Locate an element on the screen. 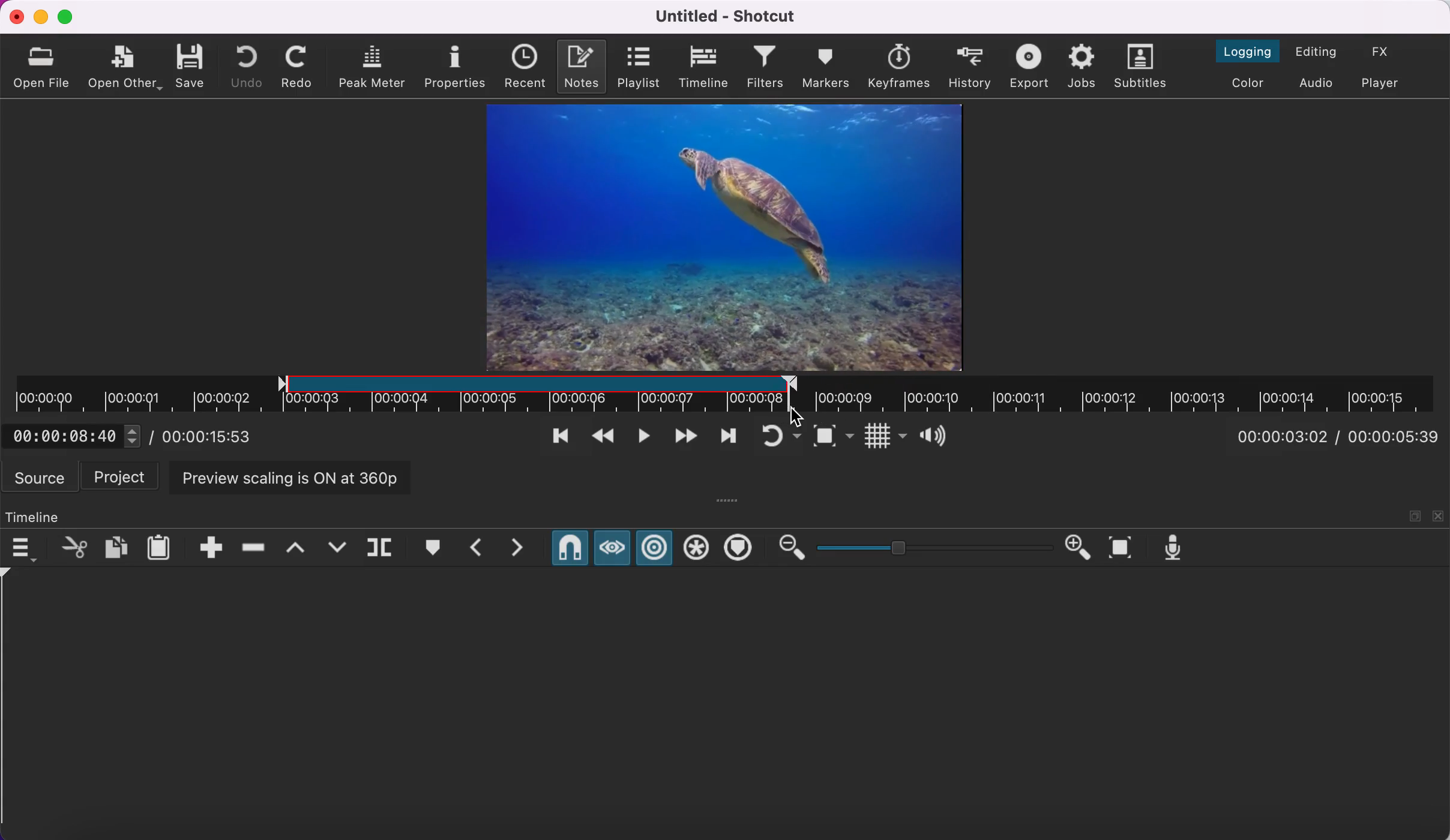  peak meter is located at coordinates (372, 66).